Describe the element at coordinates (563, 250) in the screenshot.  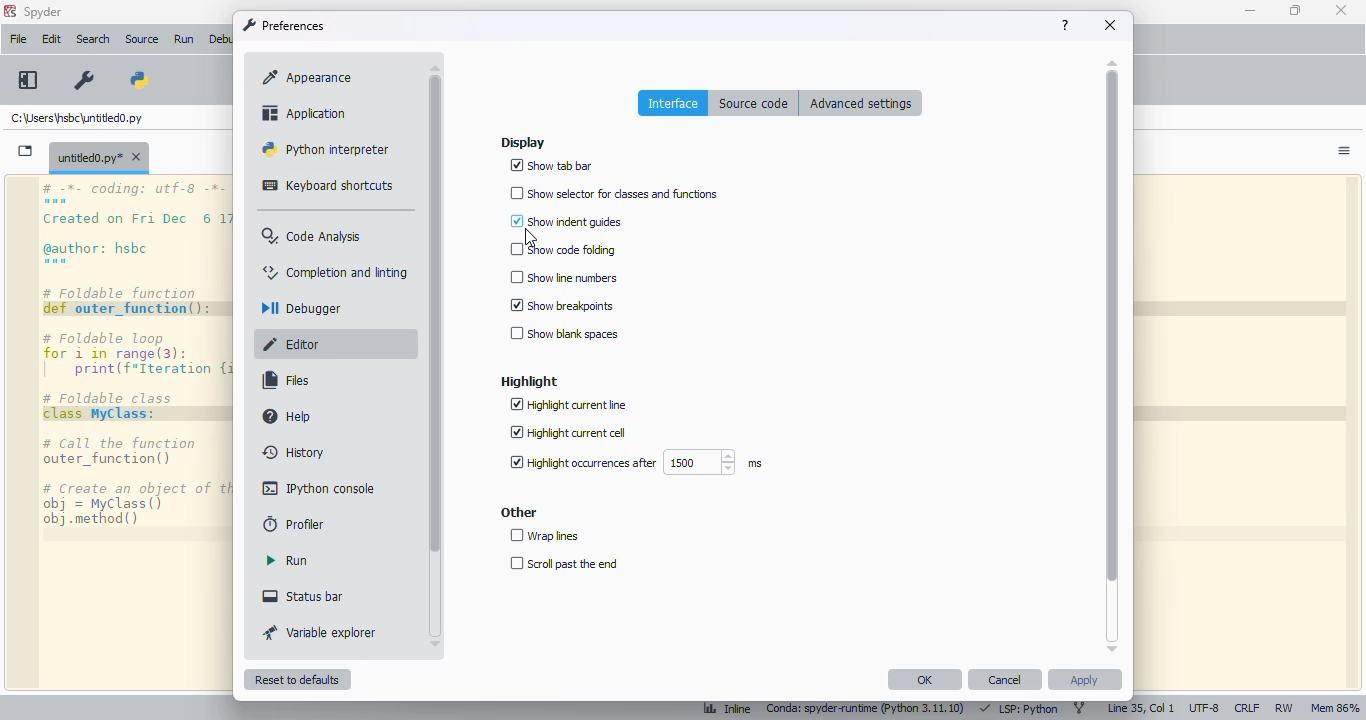
I see `show code folding` at that location.